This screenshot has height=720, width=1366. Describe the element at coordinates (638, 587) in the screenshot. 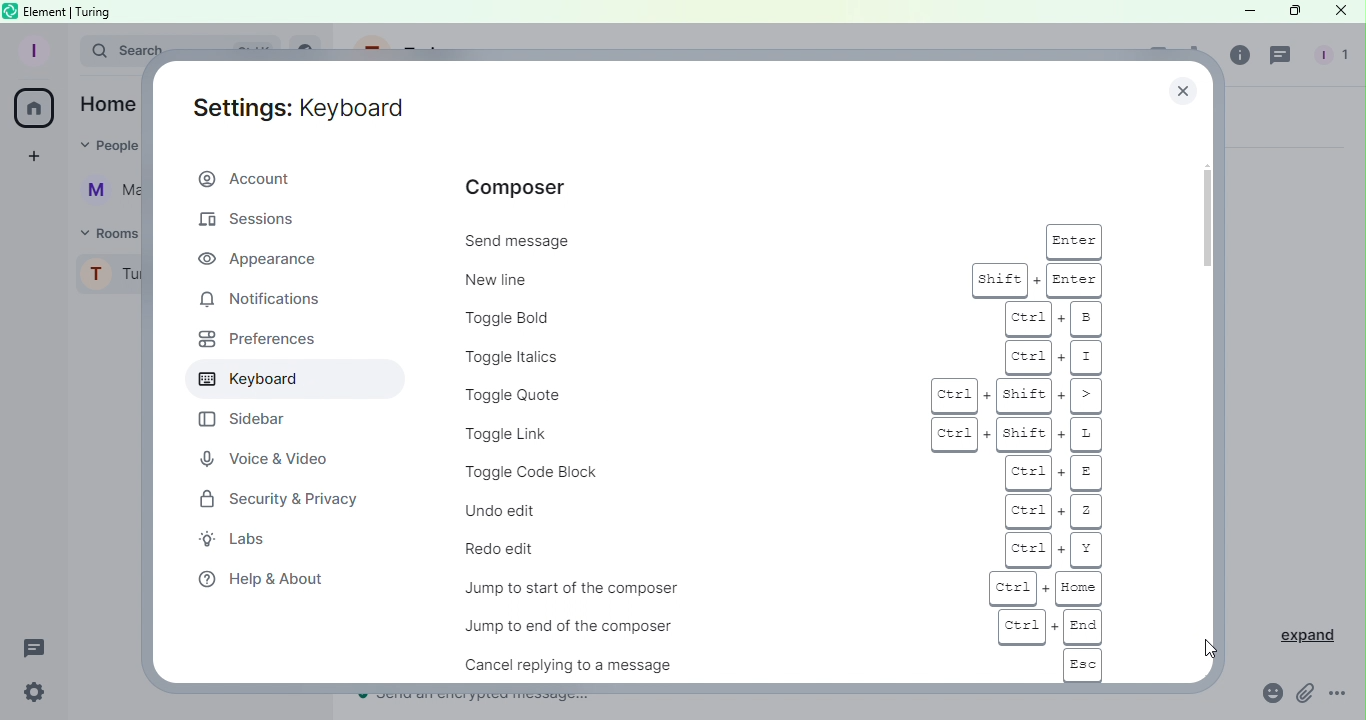

I see `Jump to start of the composer` at that location.